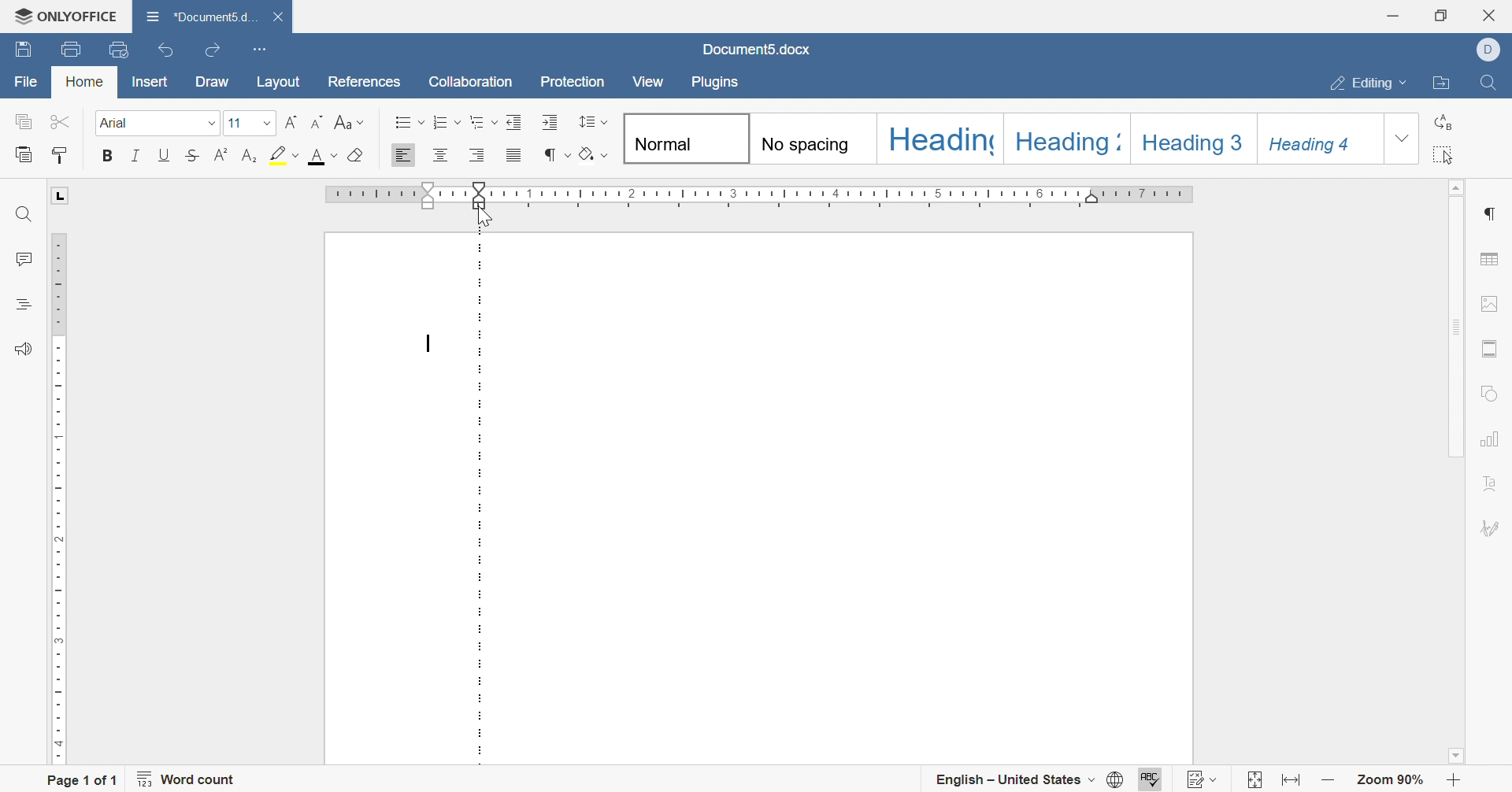 The image size is (1512, 792). What do you see at coordinates (19, 305) in the screenshot?
I see `headings` at bounding box center [19, 305].